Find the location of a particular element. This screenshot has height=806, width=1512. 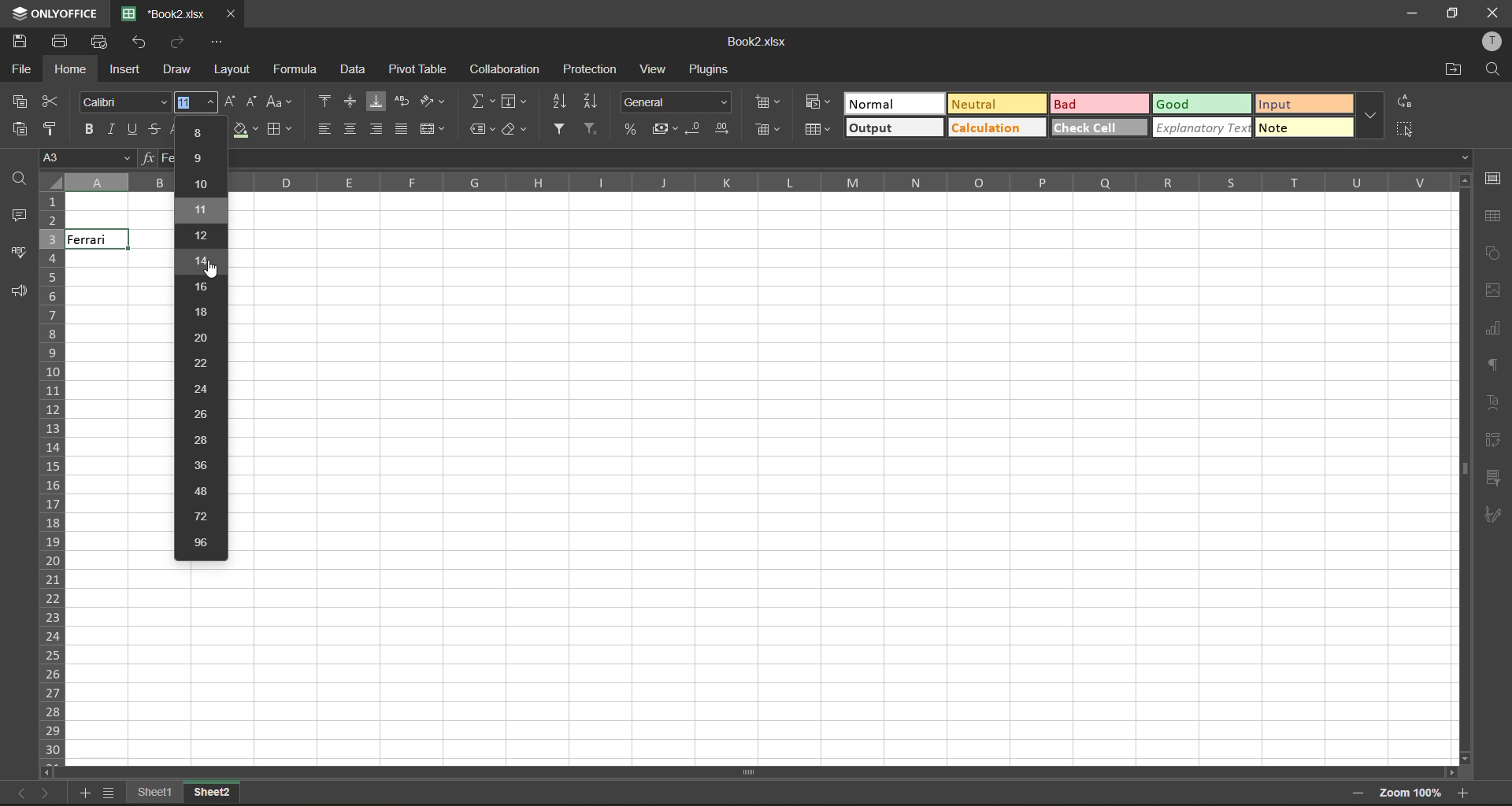

replace is located at coordinates (1403, 101).